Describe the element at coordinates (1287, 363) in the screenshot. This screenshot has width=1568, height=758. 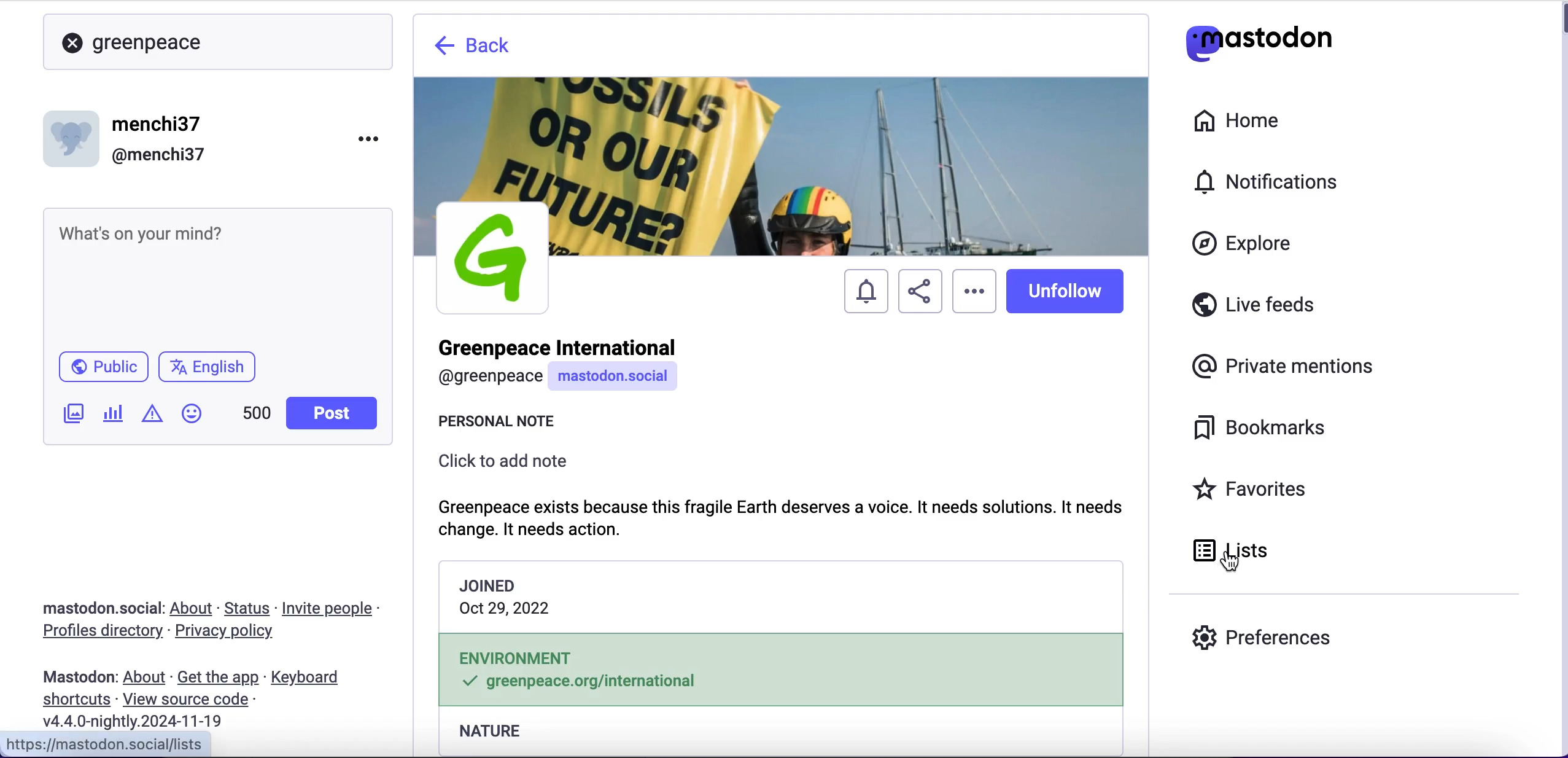
I see `private mentions` at that location.